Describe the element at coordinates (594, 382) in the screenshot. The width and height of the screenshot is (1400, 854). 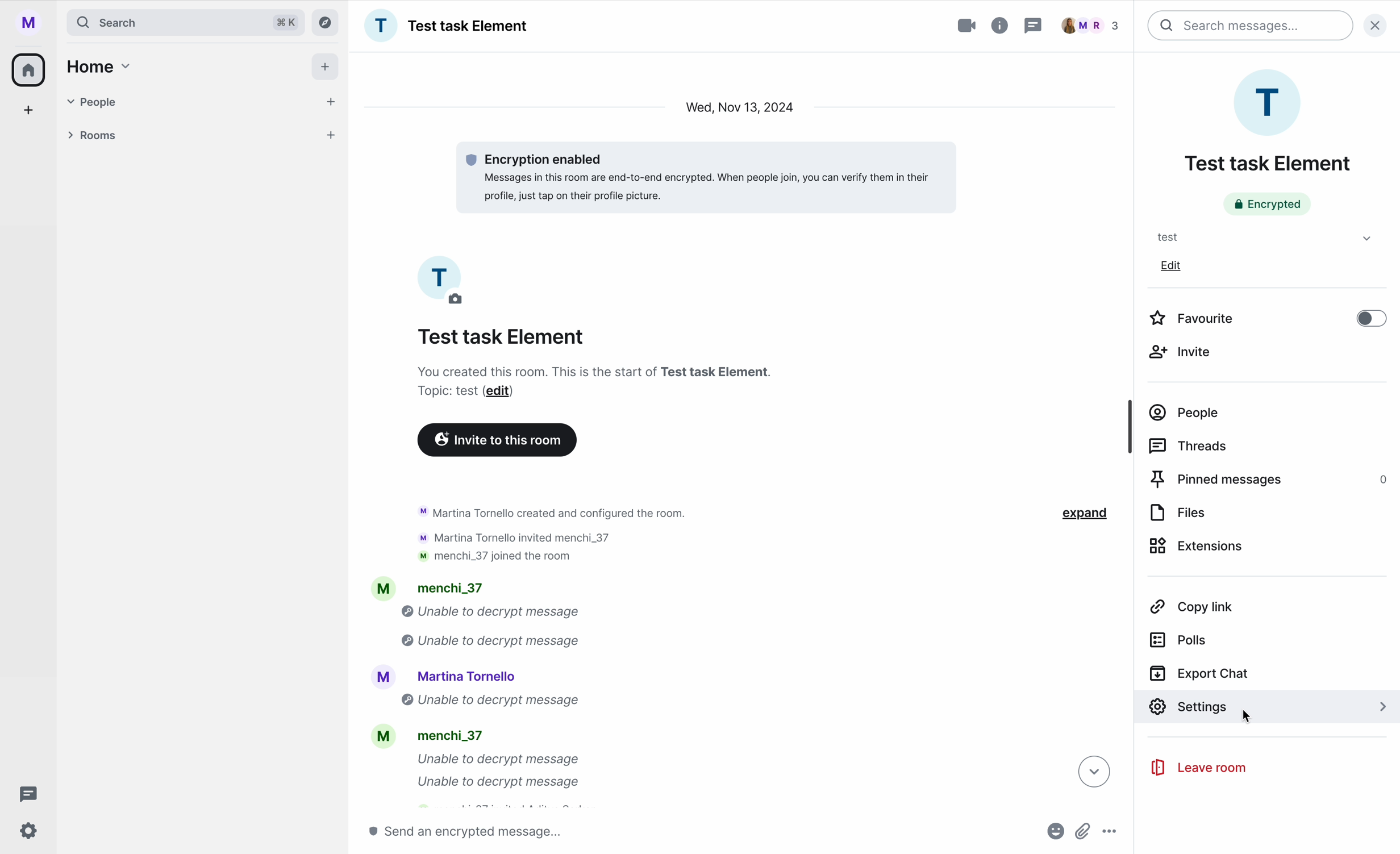
I see `description` at that location.